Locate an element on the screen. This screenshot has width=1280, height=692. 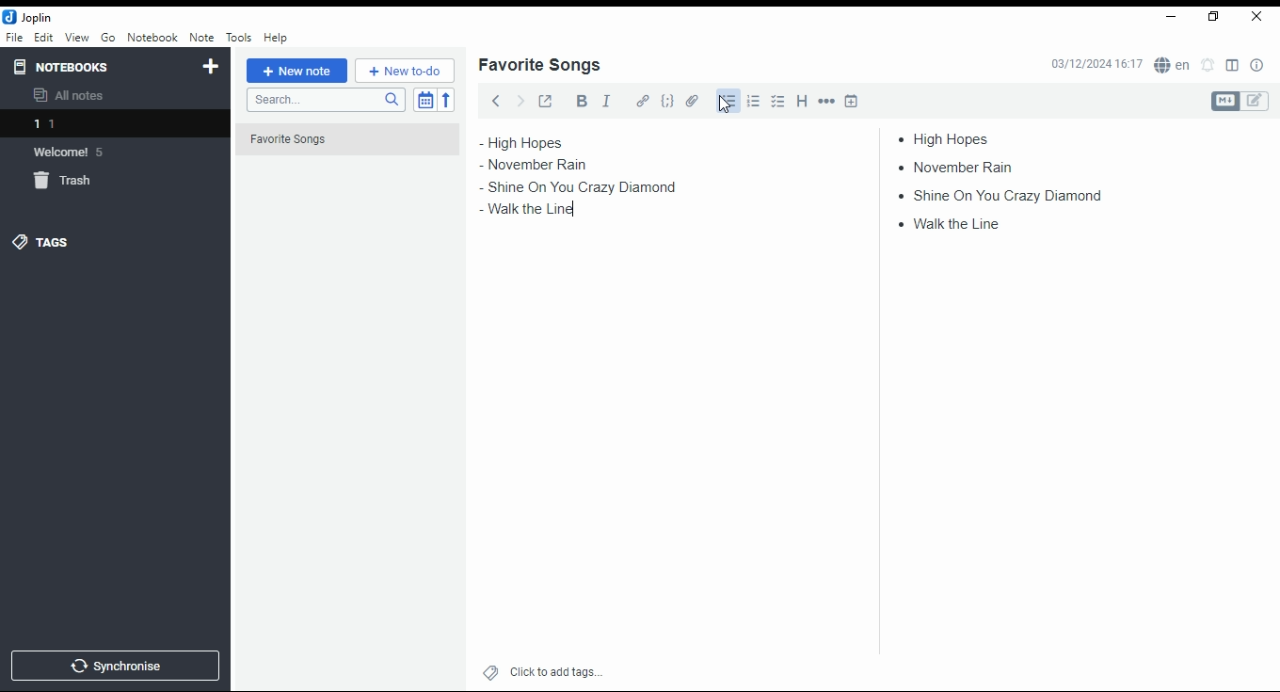
restore is located at coordinates (1216, 17).